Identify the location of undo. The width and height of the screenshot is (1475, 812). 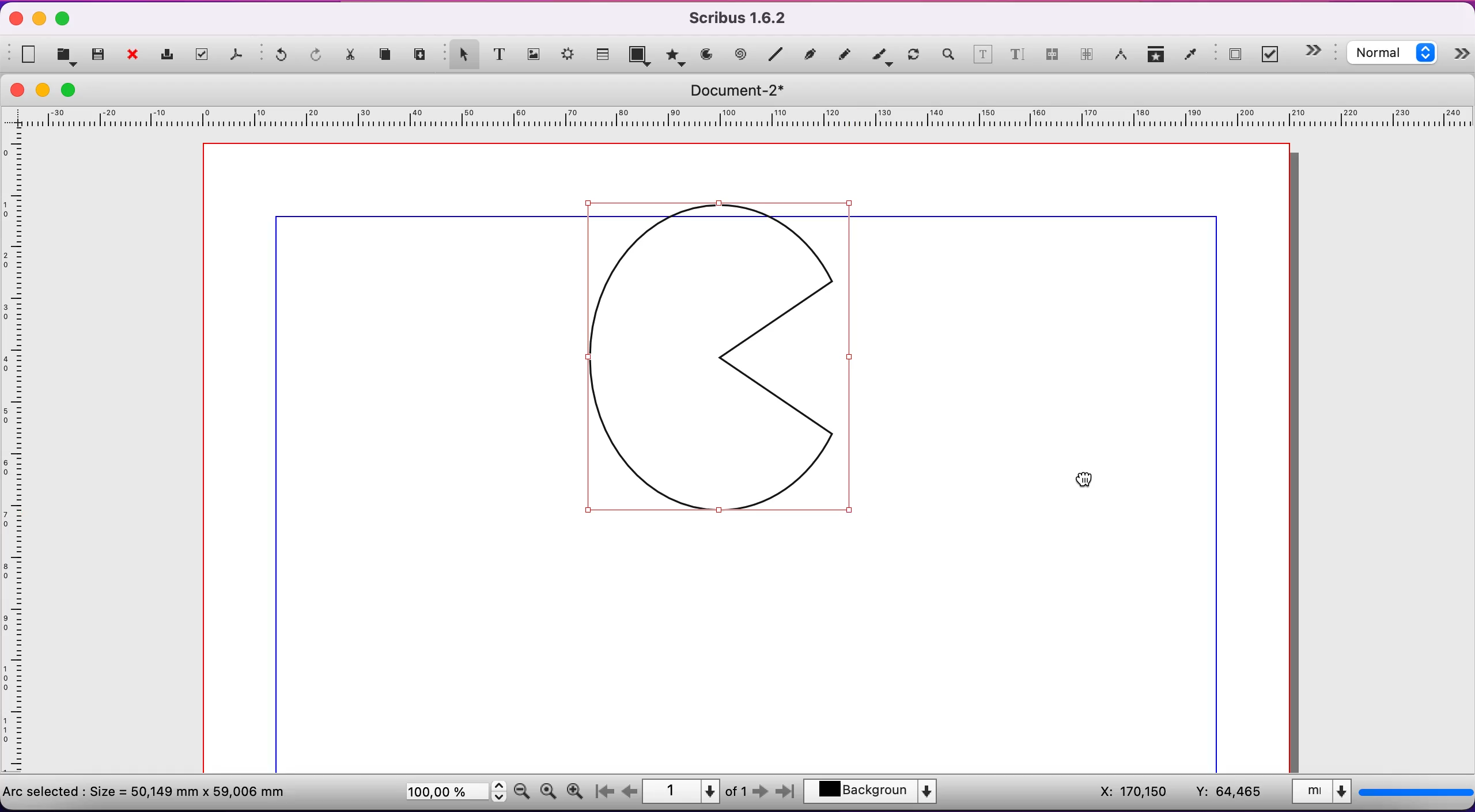
(277, 58).